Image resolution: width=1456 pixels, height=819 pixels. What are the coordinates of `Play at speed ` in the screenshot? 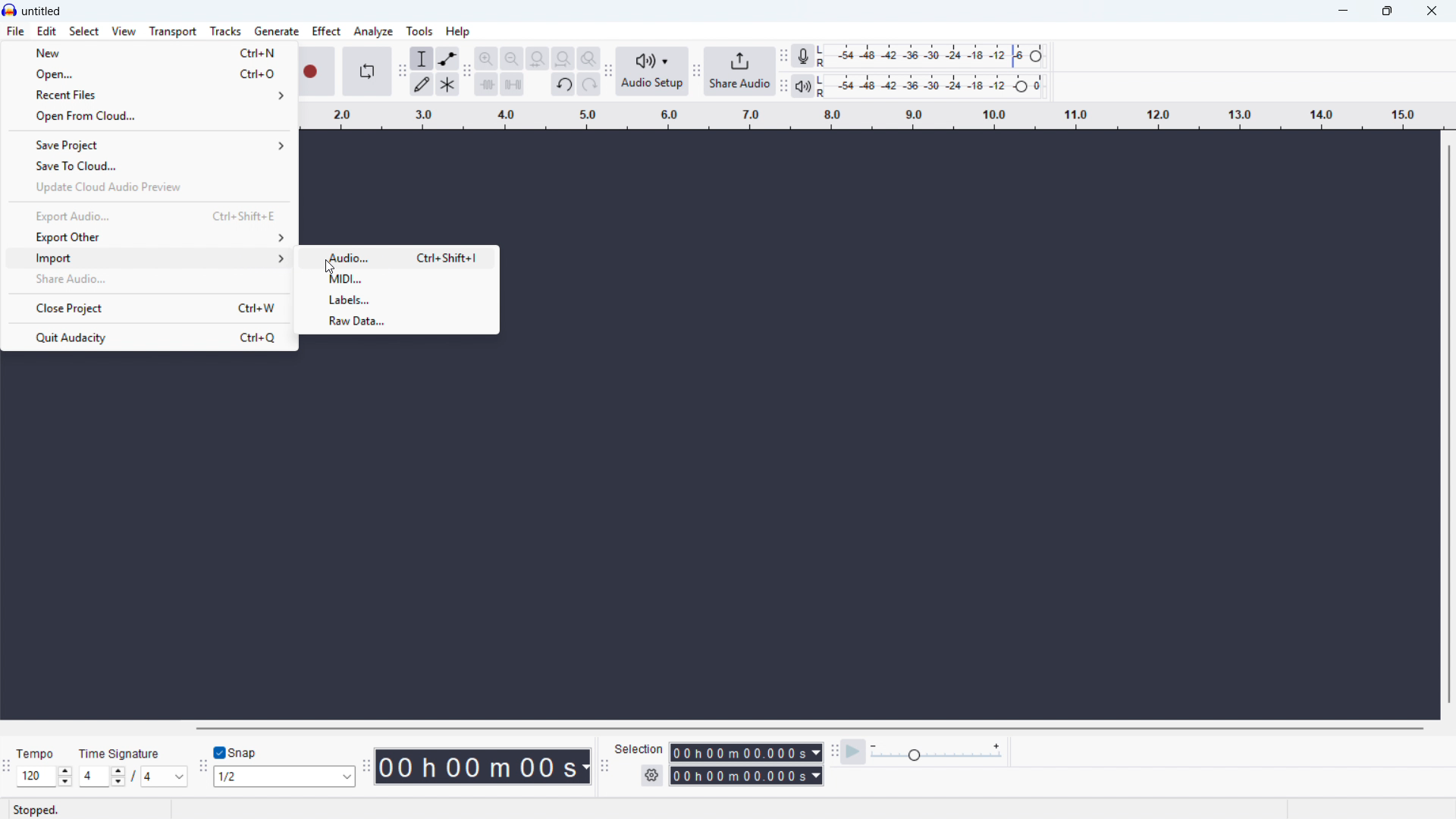 It's located at (854, 751).